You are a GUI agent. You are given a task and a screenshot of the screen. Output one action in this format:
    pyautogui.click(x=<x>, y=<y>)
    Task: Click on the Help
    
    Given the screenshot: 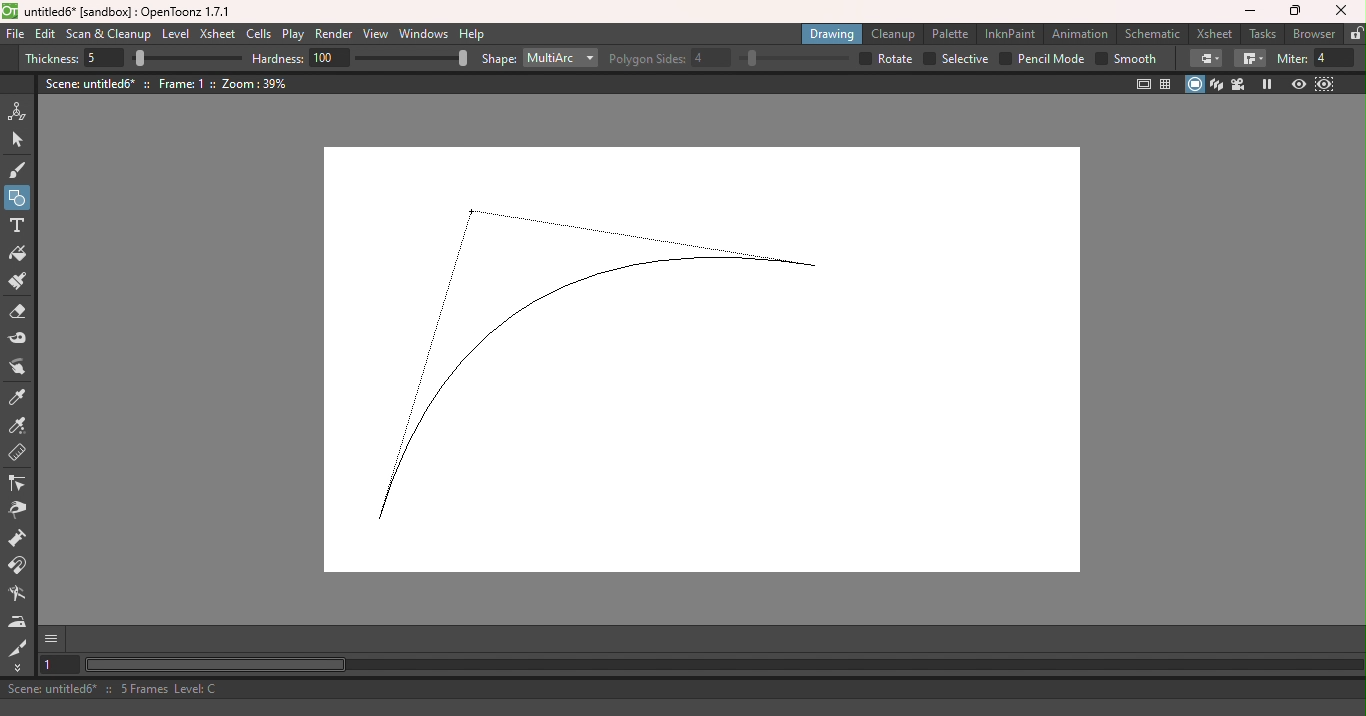 What is the action you would take?
    pyautogui.click(x=473, y=34)
    